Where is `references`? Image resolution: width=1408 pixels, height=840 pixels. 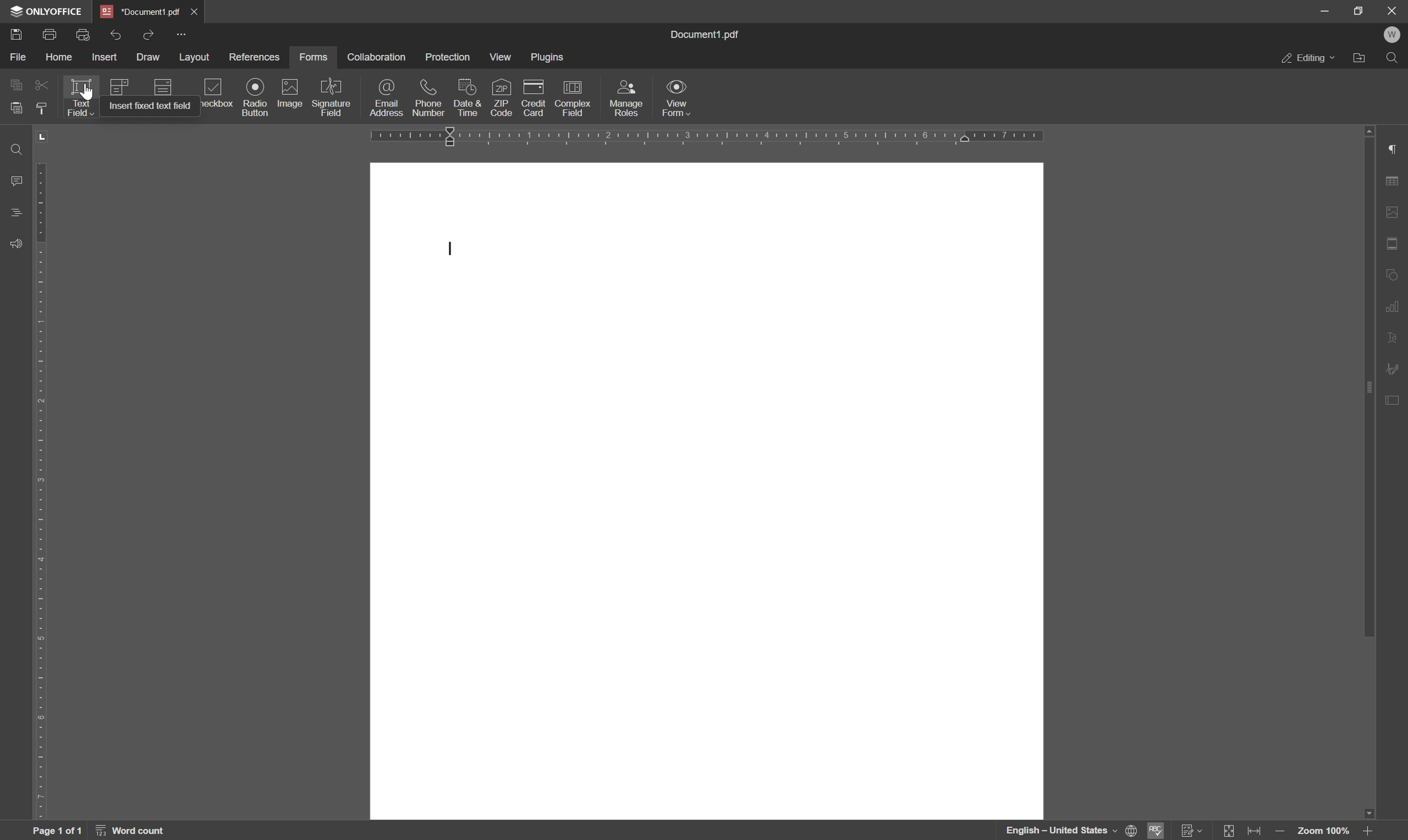 references is located at coordinates (255, 57).